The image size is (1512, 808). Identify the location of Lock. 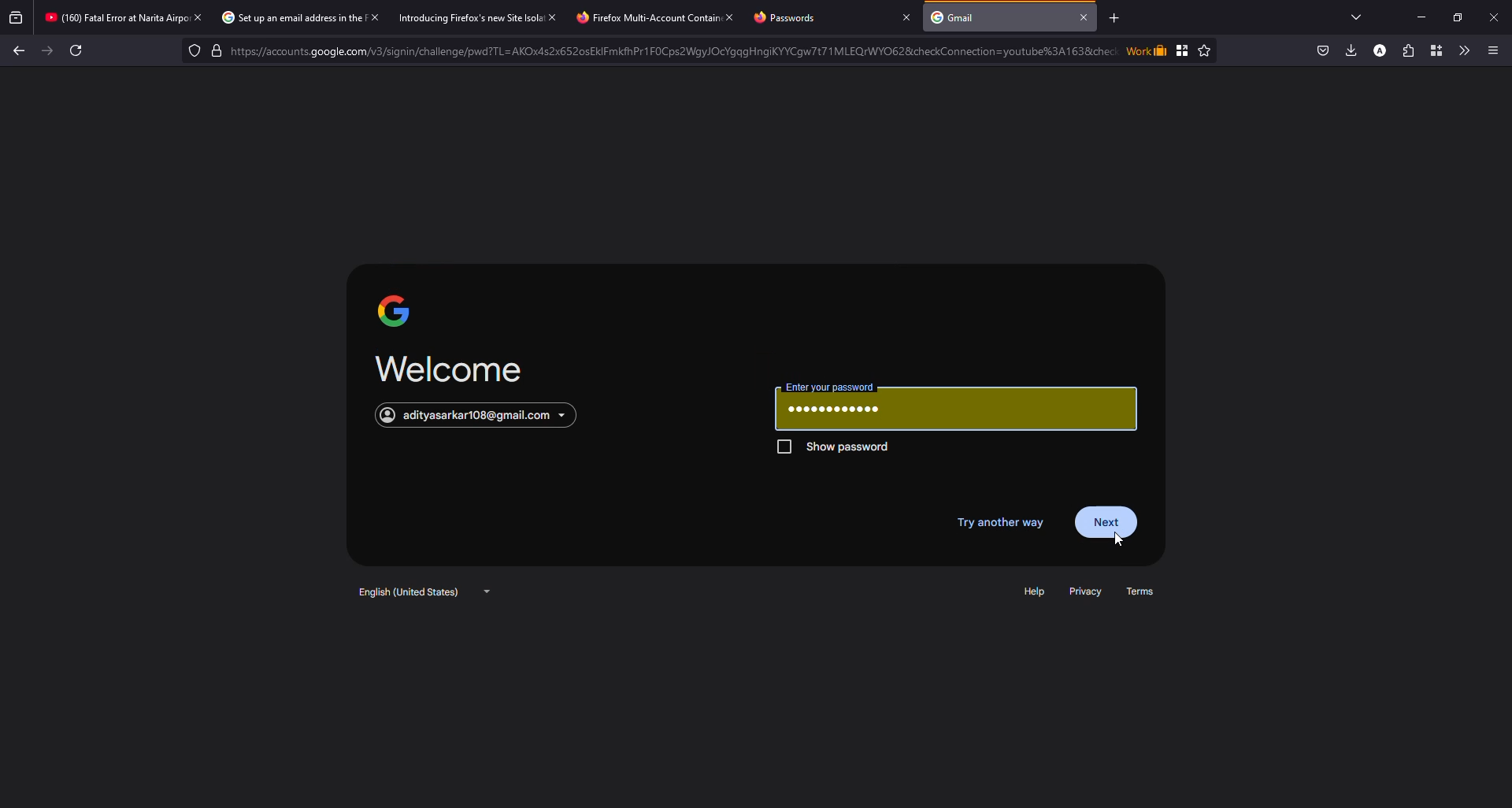
(677, 50).